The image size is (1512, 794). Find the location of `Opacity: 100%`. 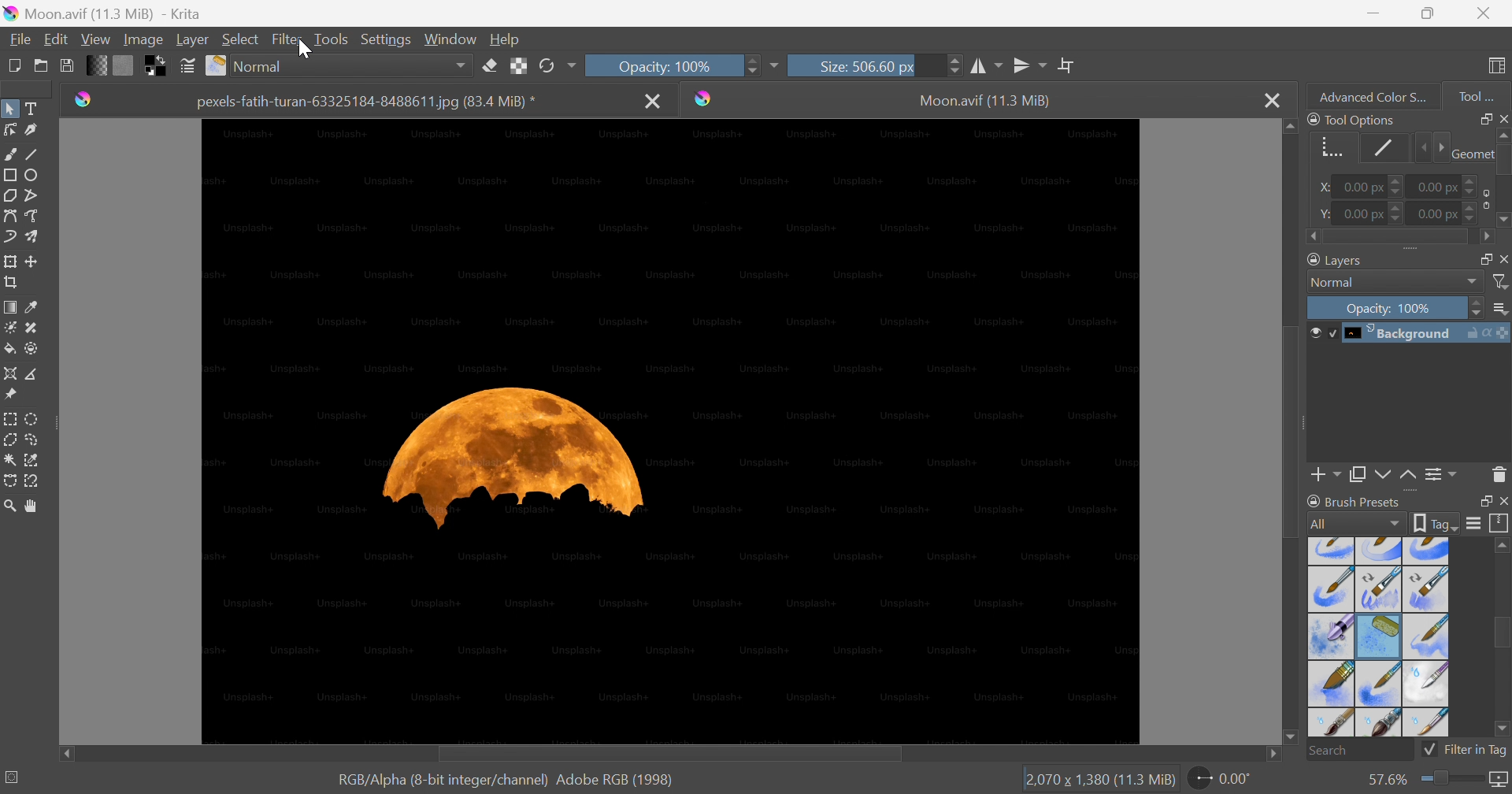

Opacity: 100% is located at coordinates (672, 66).